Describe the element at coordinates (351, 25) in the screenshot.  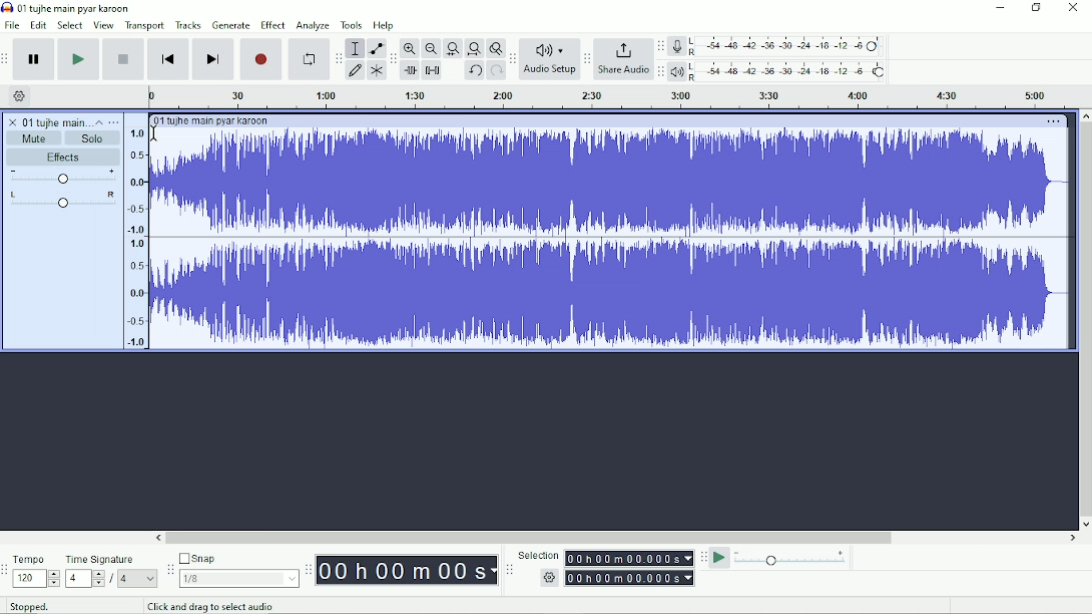
I see `Tools` at that location.